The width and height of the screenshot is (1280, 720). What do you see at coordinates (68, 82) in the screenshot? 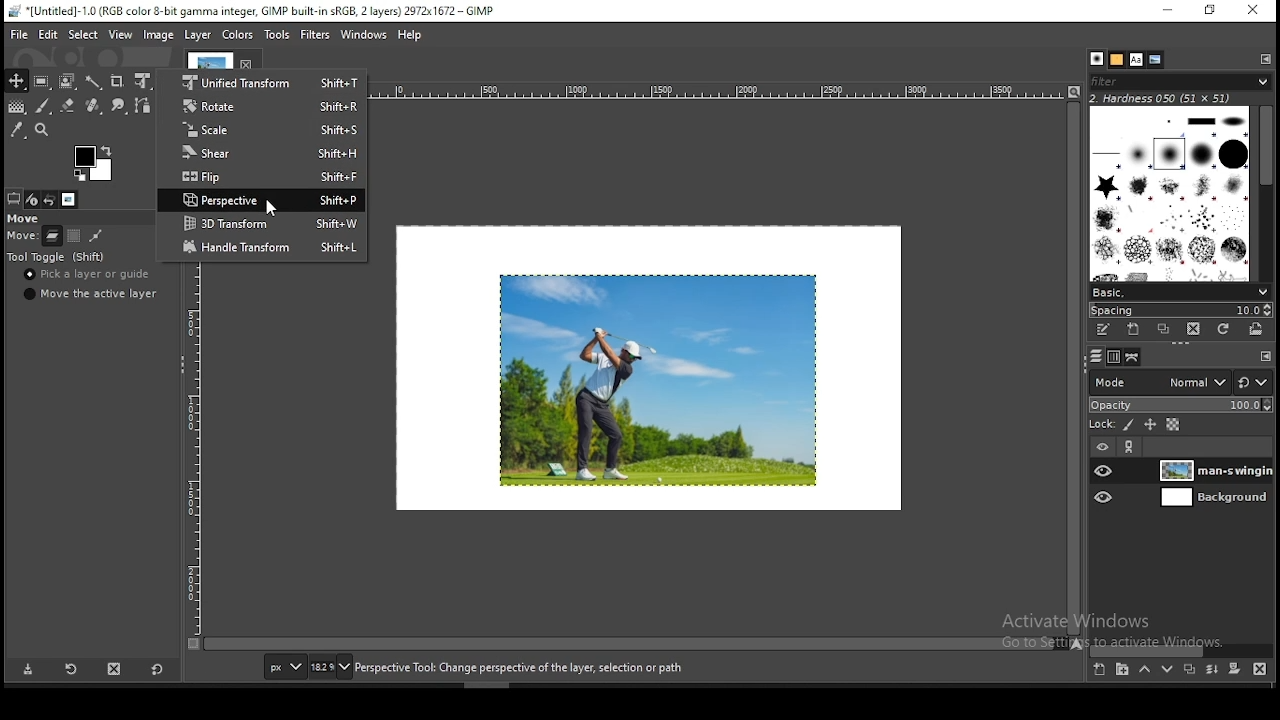
I see `foreground select tool` at bounding box center [68, 82].